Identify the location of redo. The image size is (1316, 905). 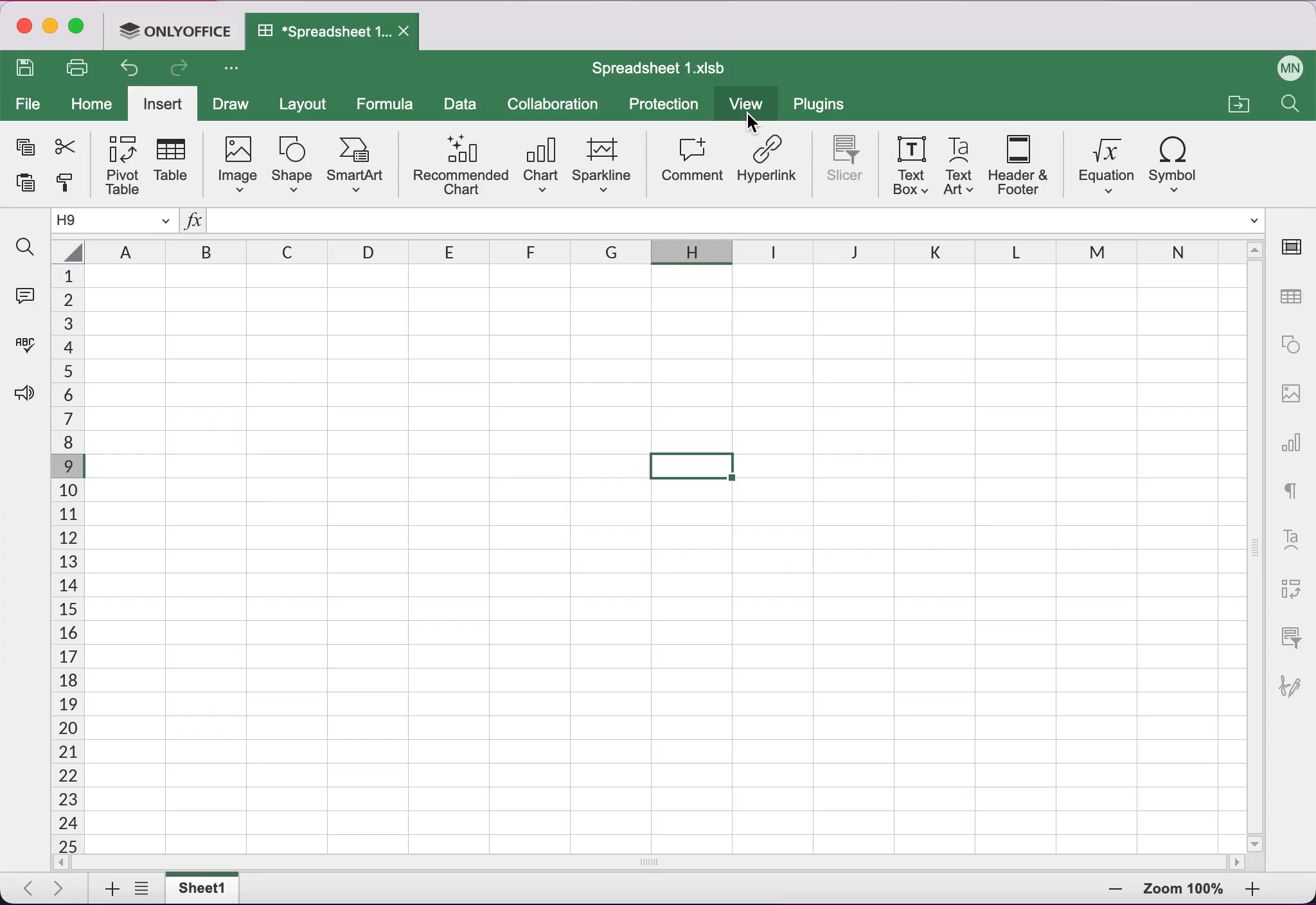
(185, 70).